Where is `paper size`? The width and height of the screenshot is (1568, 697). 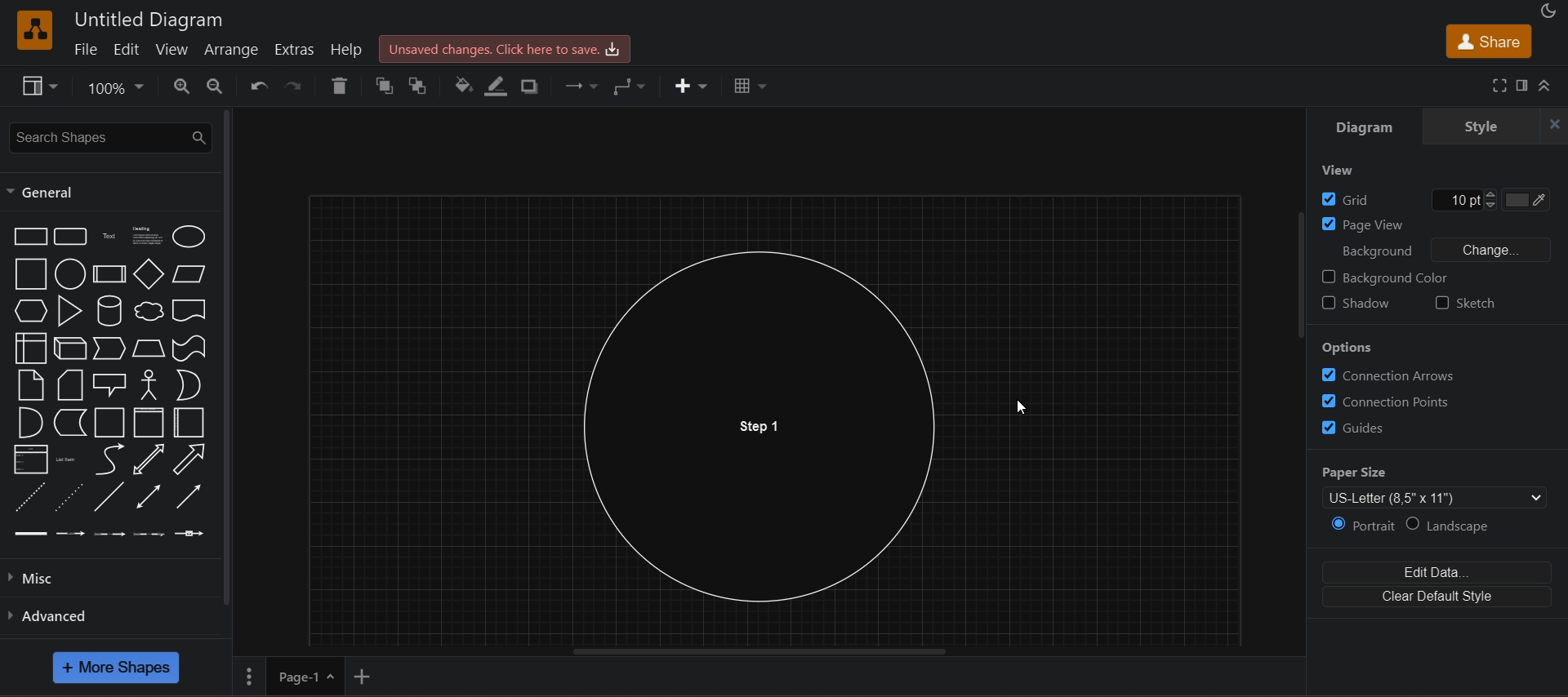 paper size is located at coordinates (1353, 470).